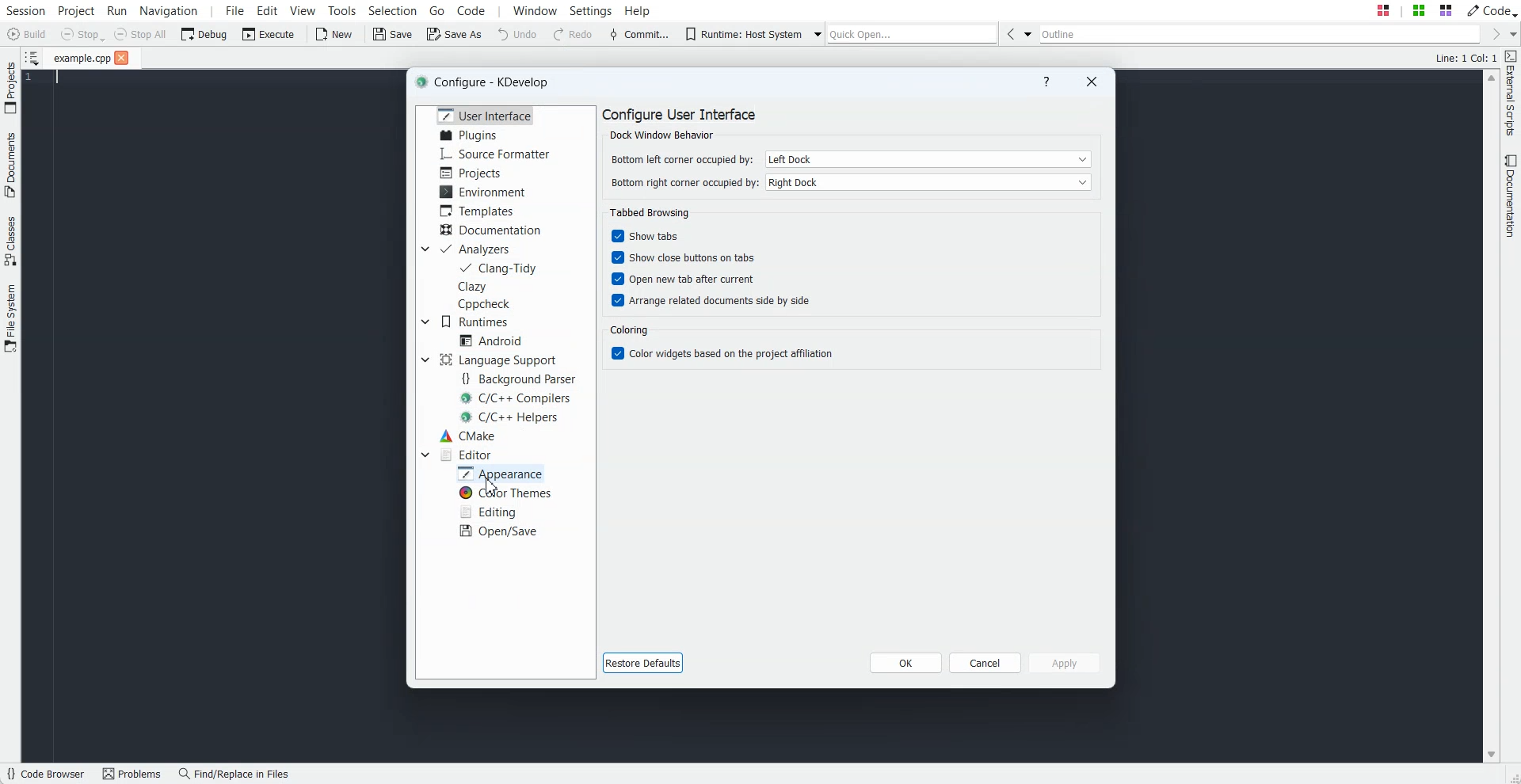 The width and height of the screenshot is (1521, 784). What do you see at coordinates (511, 417) in the screenshot?
I see `C/C++ Helpers` at bounding box center [511, 417].